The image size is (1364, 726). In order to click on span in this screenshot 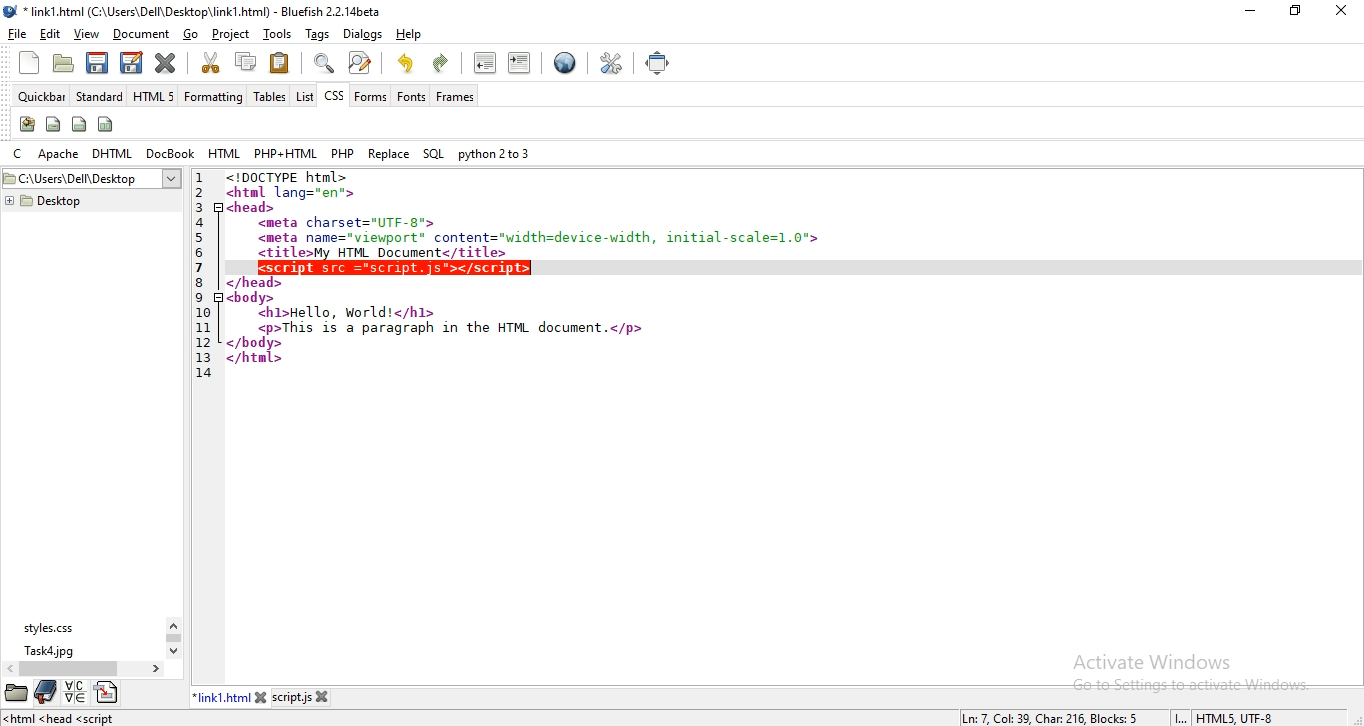, I will do `click(52, 124)`.